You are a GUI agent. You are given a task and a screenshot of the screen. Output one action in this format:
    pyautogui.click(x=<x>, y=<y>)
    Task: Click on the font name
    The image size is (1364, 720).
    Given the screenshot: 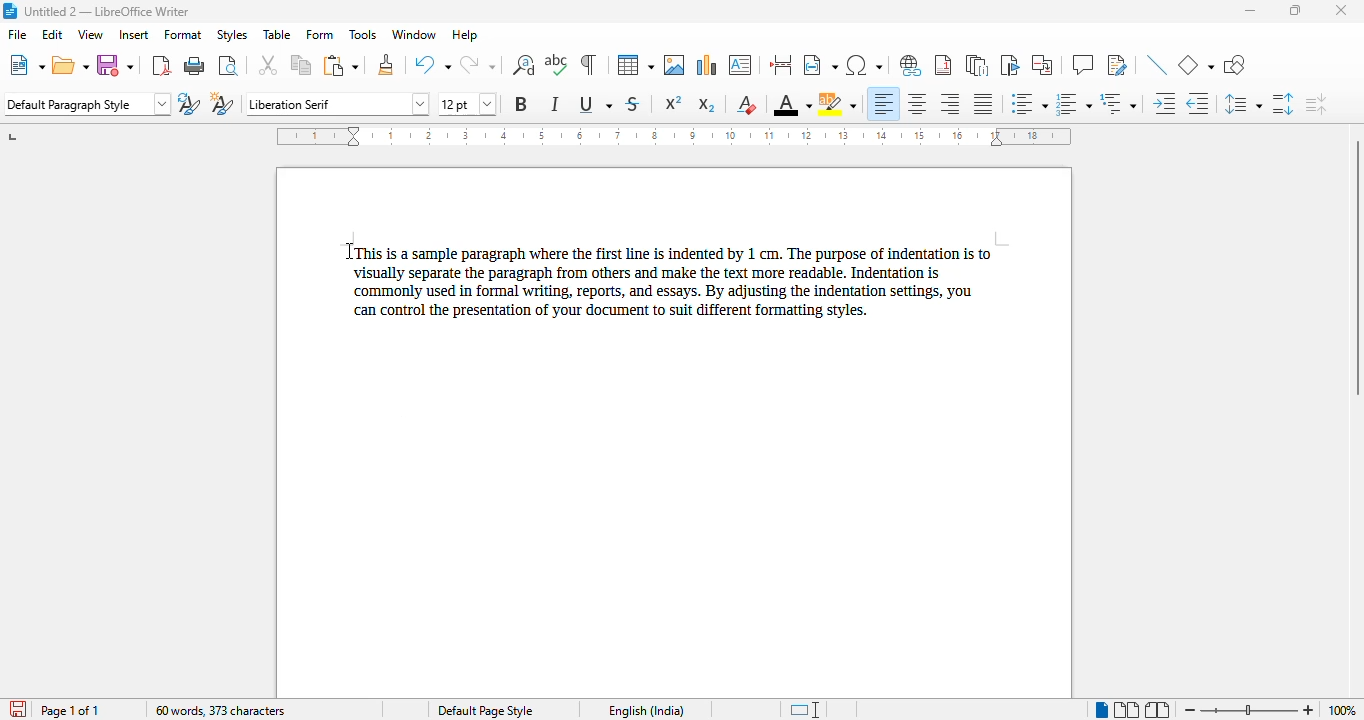 What is the action you would take?
    pyautogui.click(x=338, y=103)
    